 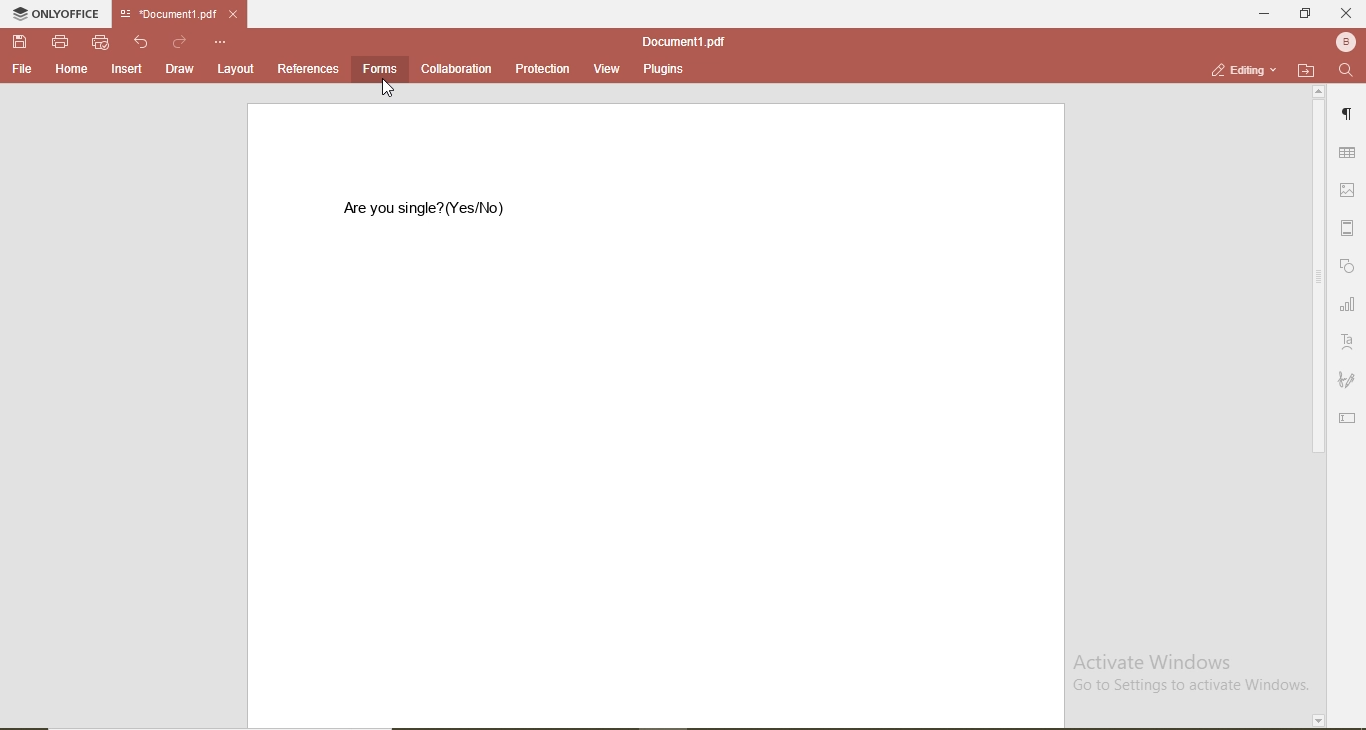 What do you see at coordinates (73, 70) in the screenshot?
I see `home` at bounding box center [73, 70].